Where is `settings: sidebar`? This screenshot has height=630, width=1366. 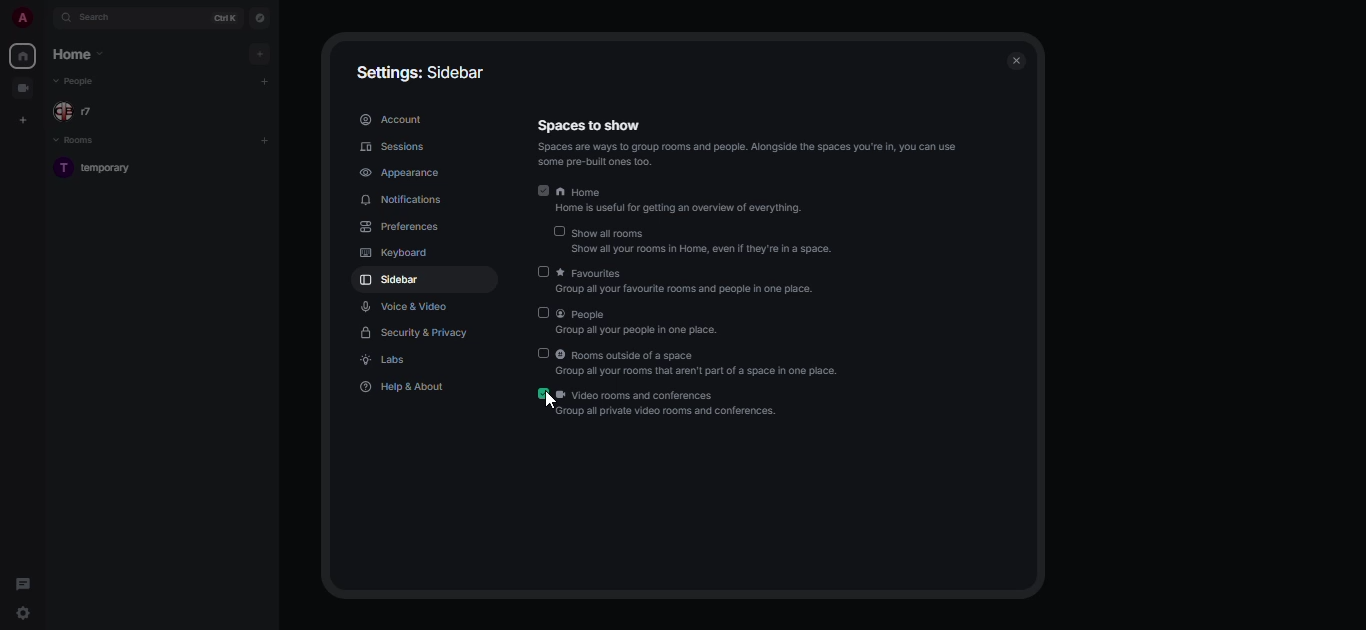
settings: sidebar is located at coordinates (419, 72).